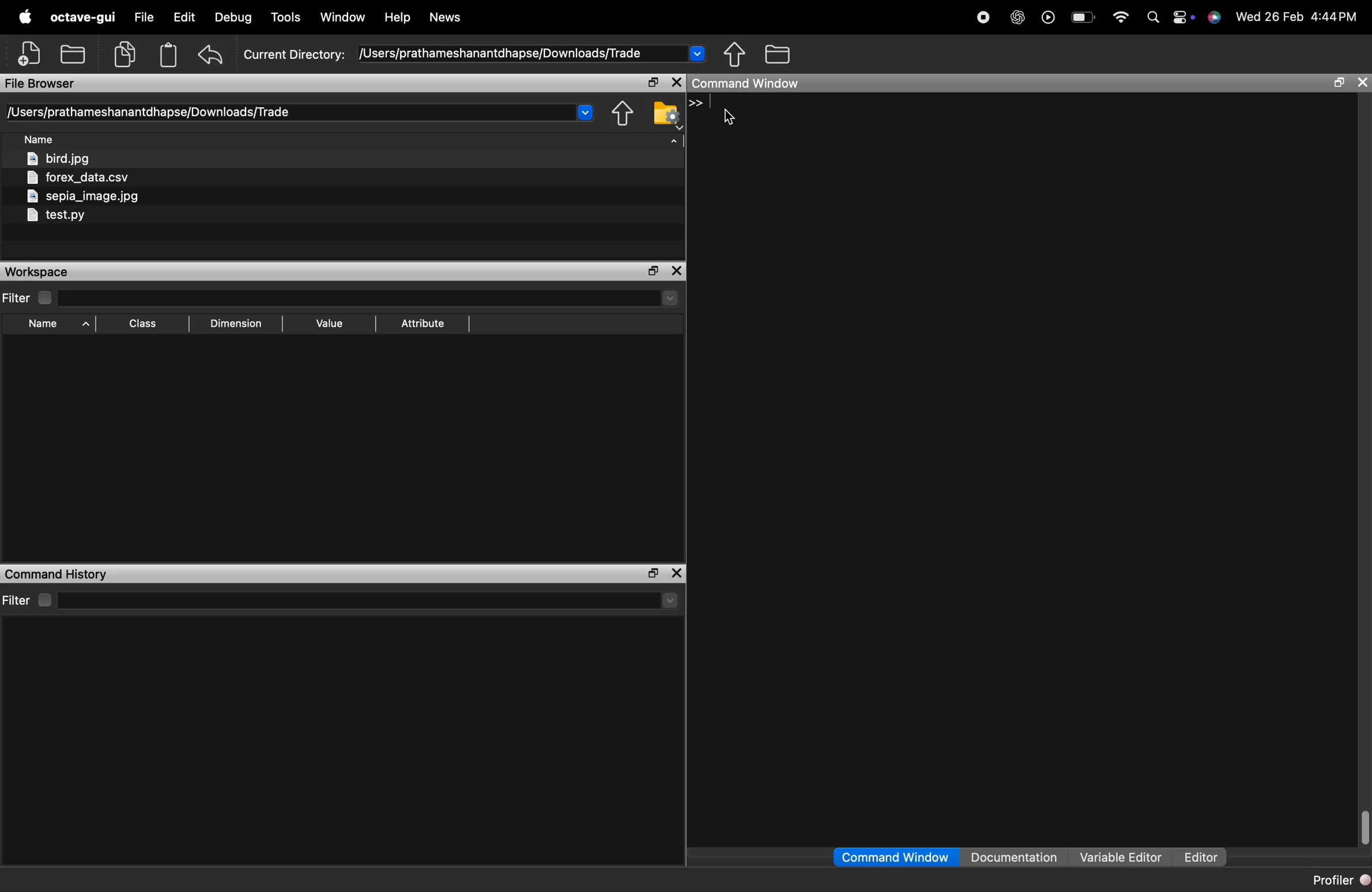  I want to click on wifi, so click(1121, 18).